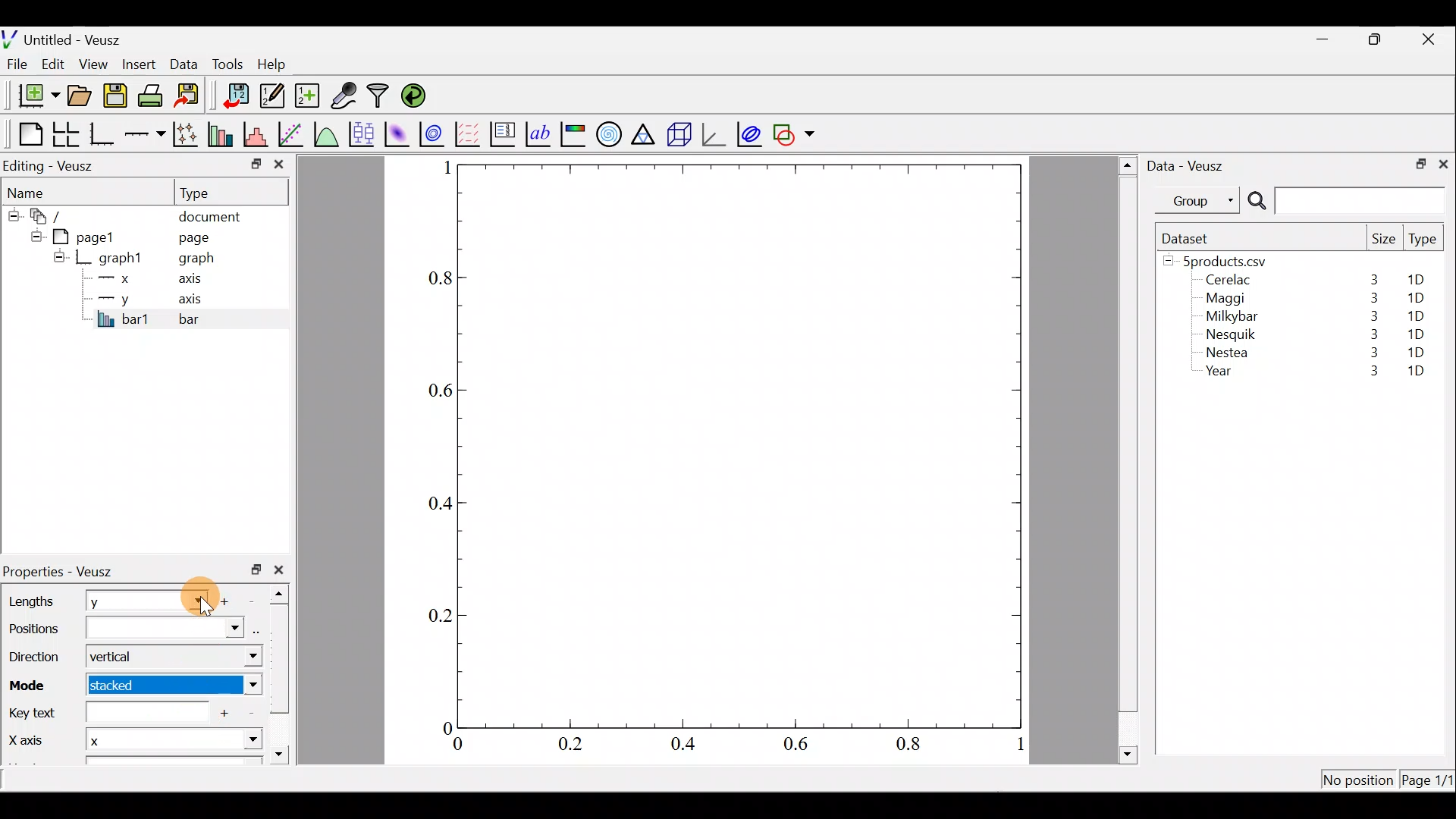 This screenshot has height=819, width=1456. What do you see at coordinates (470, 134) in the screenshot?
I see `Plot a vector field` at bounding box center [470, 134].